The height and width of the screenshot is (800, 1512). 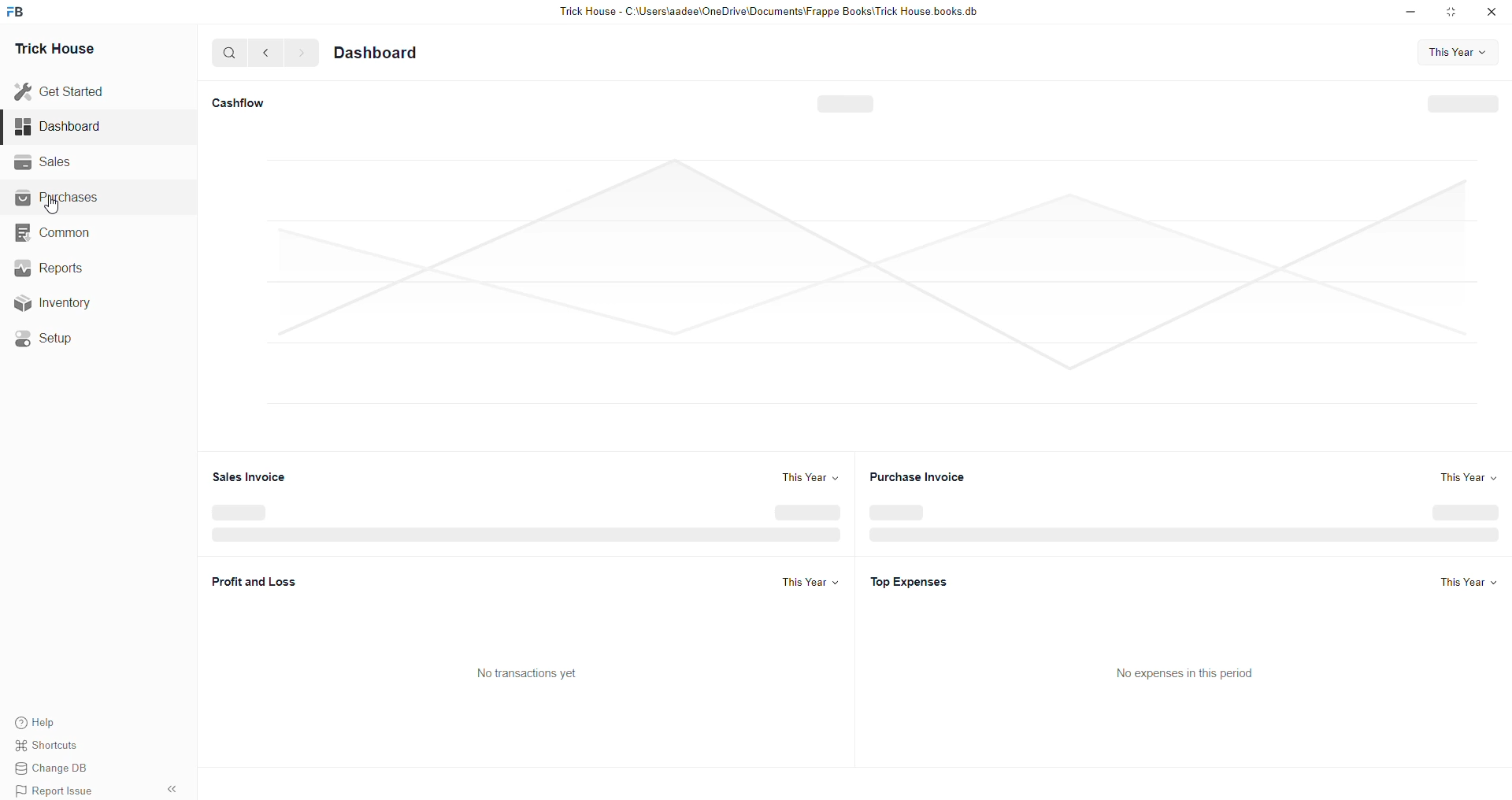 What do you see at coordinates (61, 126) in the screenshot?
I see `Dashboard` at bounding box center [61, 126].